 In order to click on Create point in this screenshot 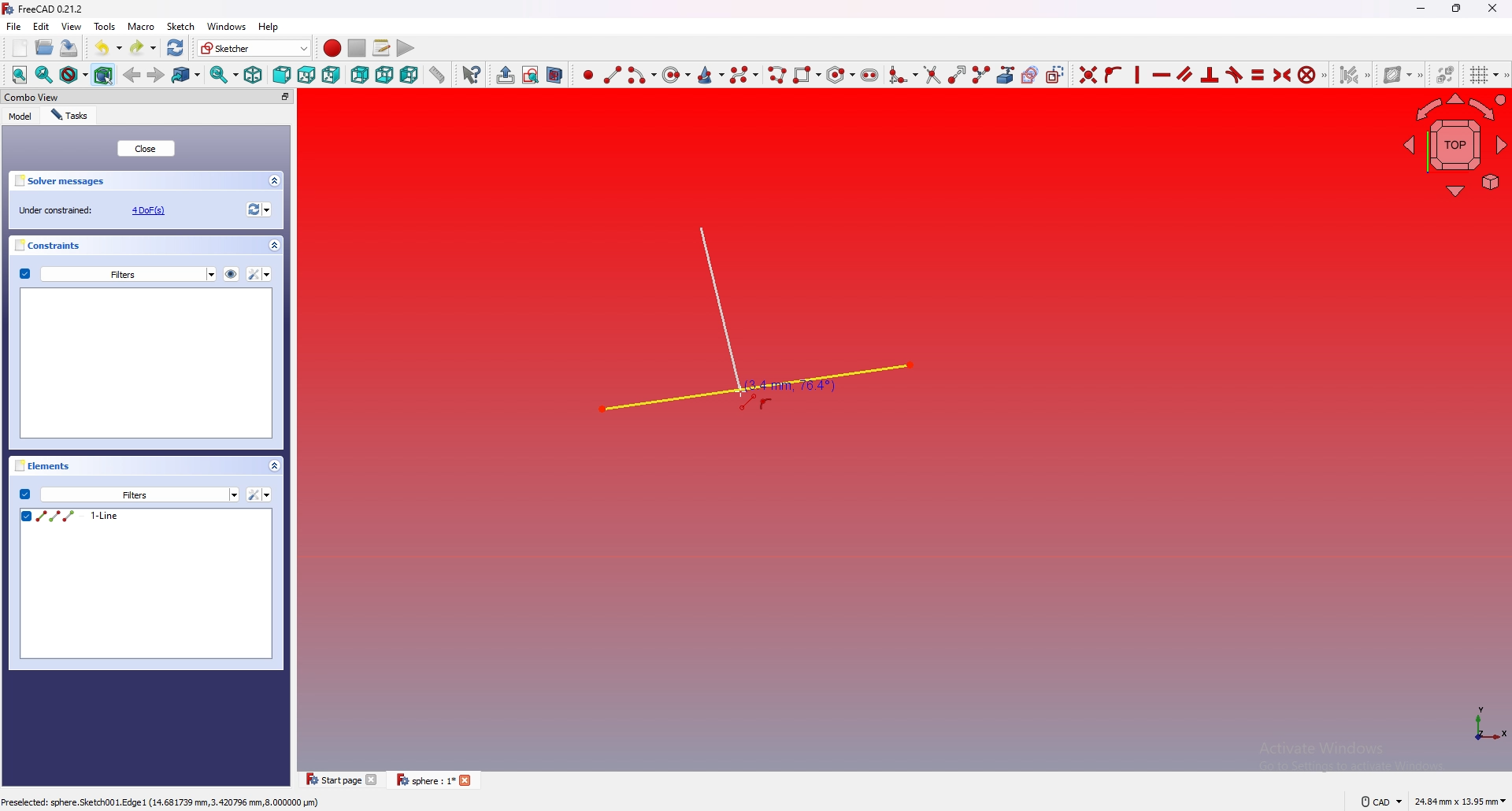, I will do `click(585, 75)`.